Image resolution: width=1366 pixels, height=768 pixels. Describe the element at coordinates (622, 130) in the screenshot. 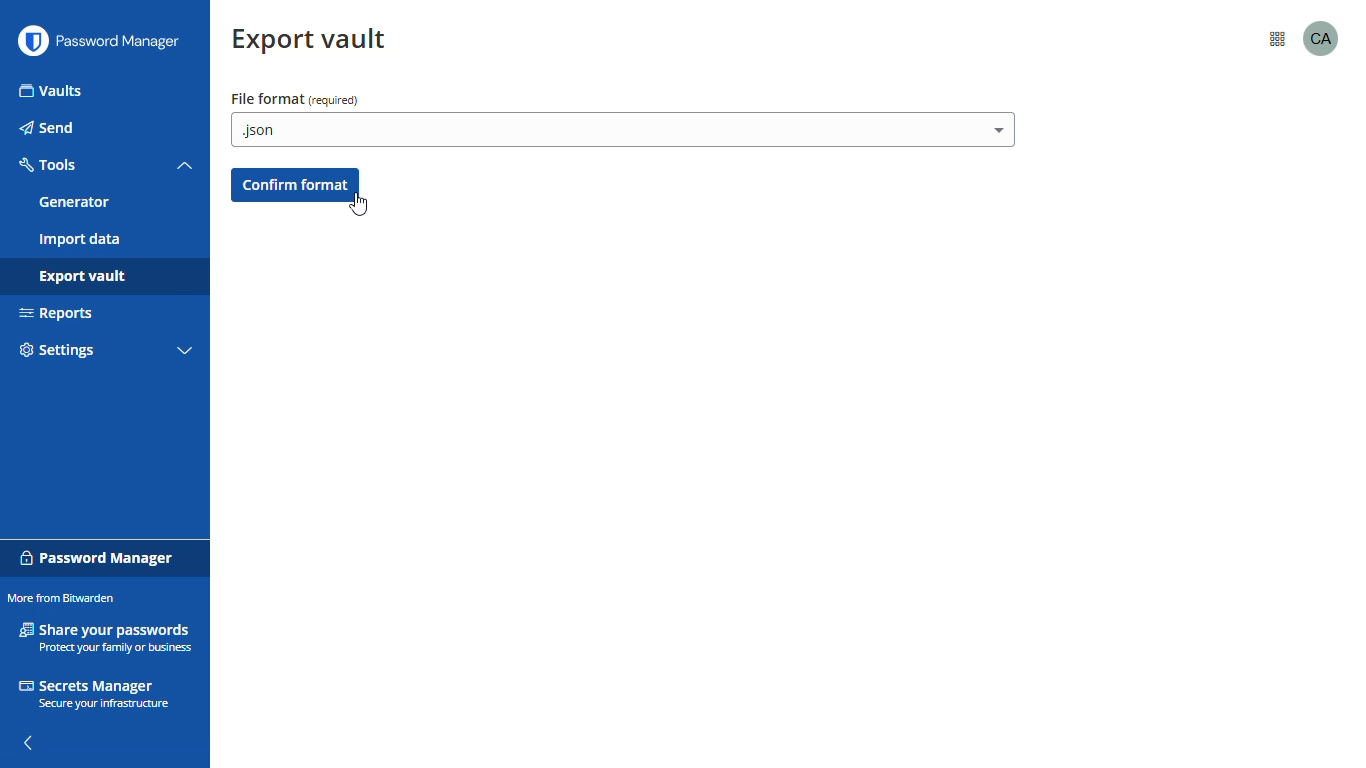

I see `.json` at that location.